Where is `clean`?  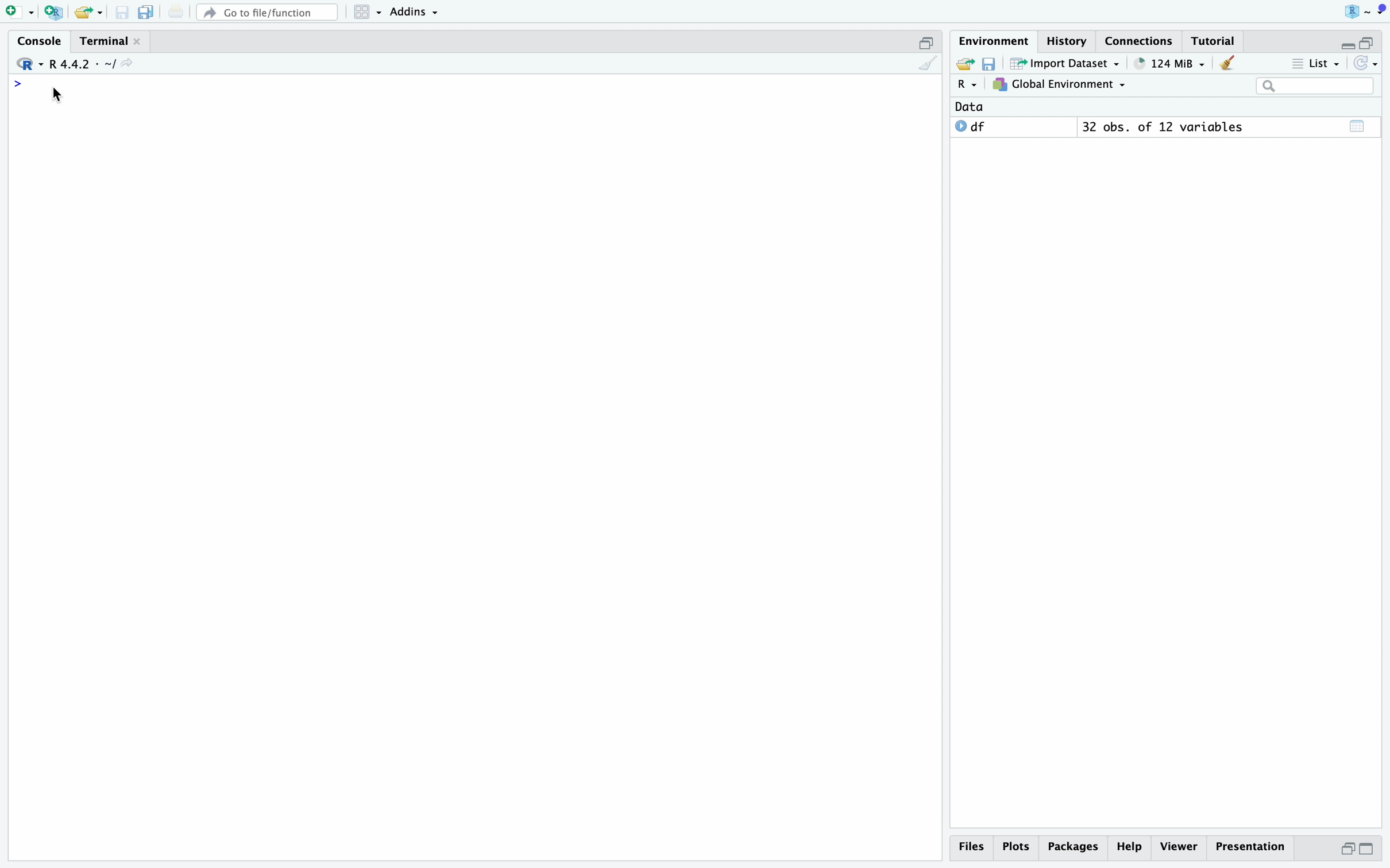 clean is located at coordinates (1228, 63).